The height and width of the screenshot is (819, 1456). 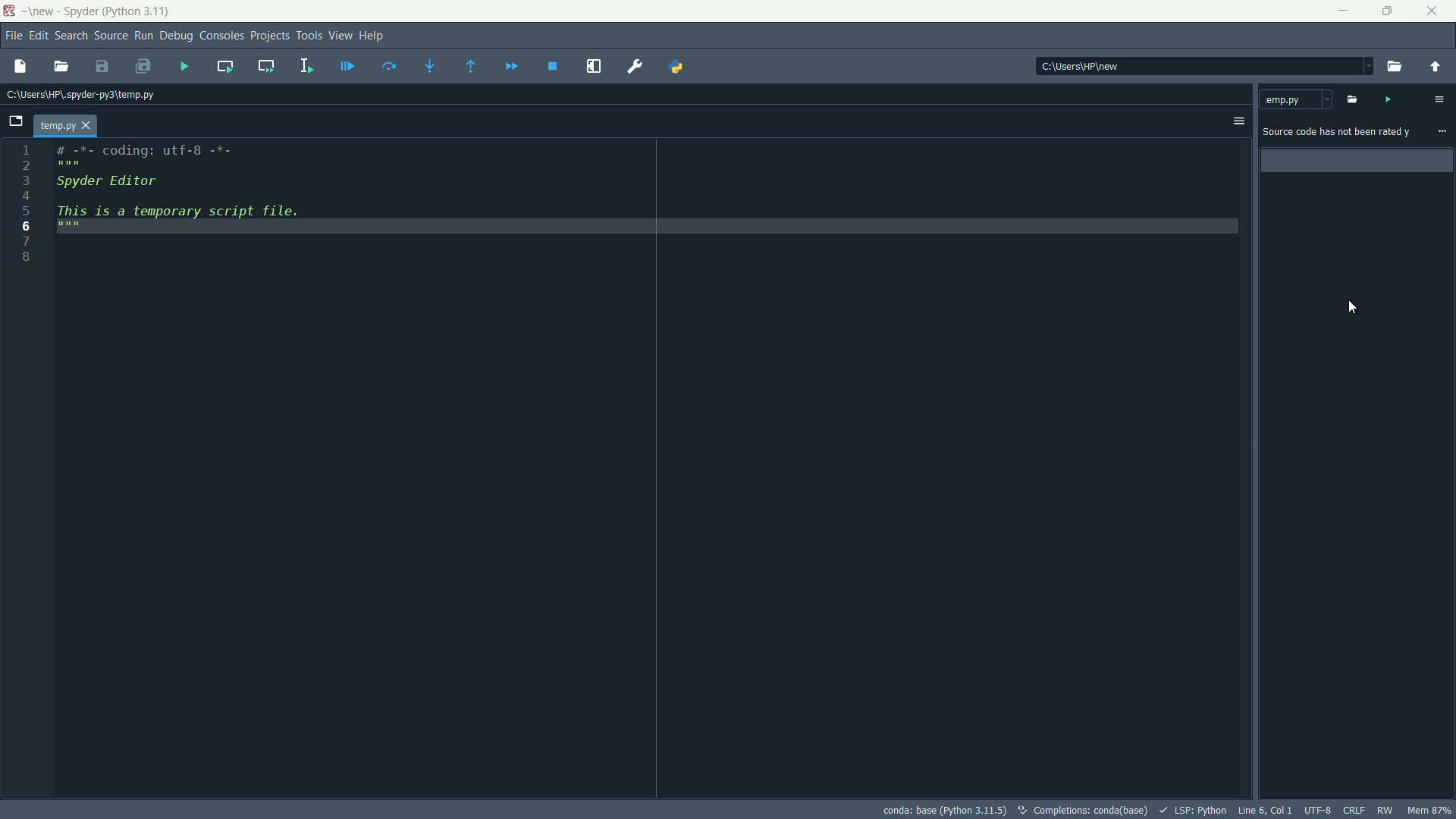 What do you see at coordinates (25, 225) in the screenshot?
I see `6` at bounding box center [25, 225].